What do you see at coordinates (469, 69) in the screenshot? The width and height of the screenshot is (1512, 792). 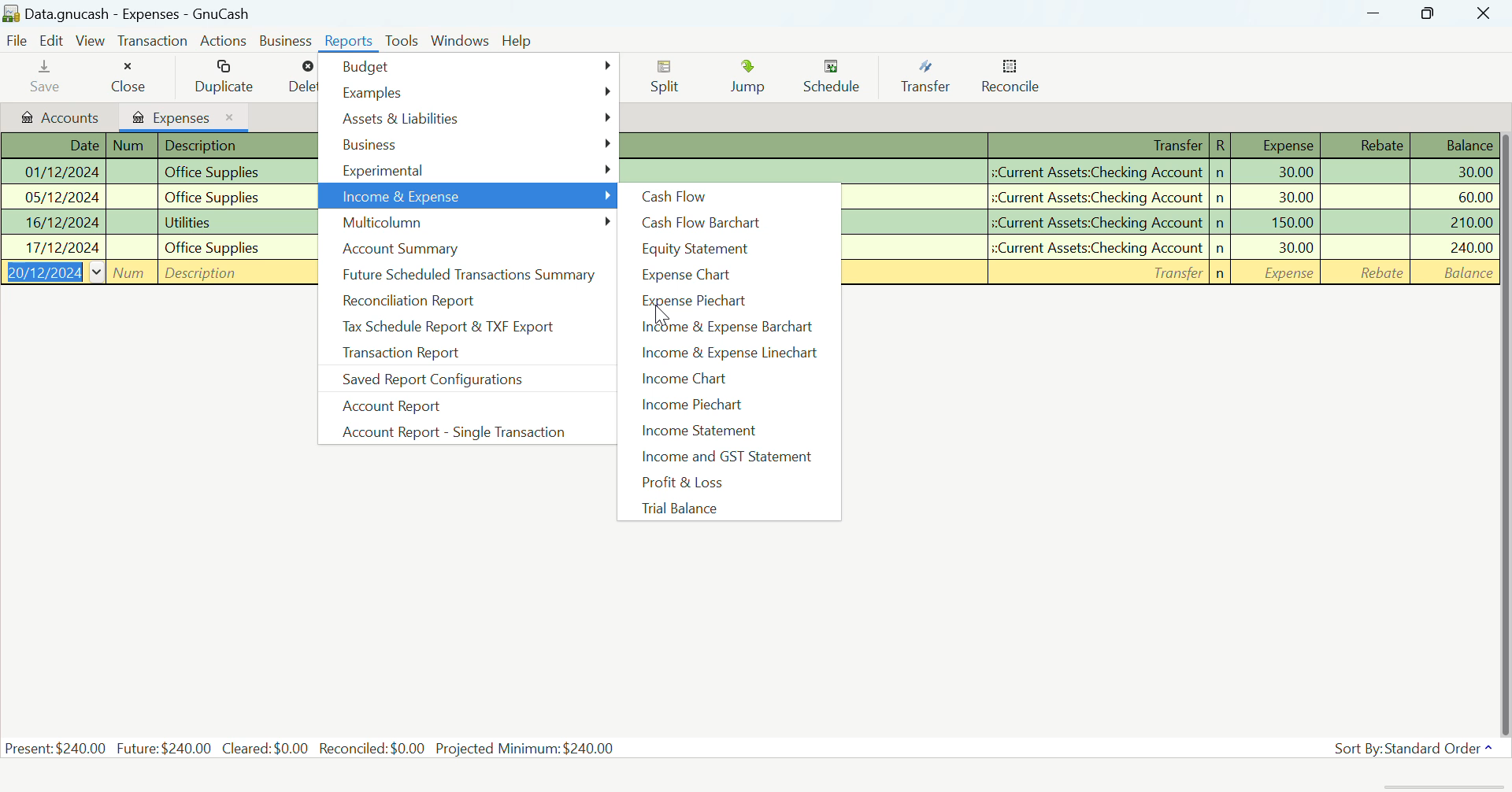 I see `Budget` at bounding box center [469, 69].